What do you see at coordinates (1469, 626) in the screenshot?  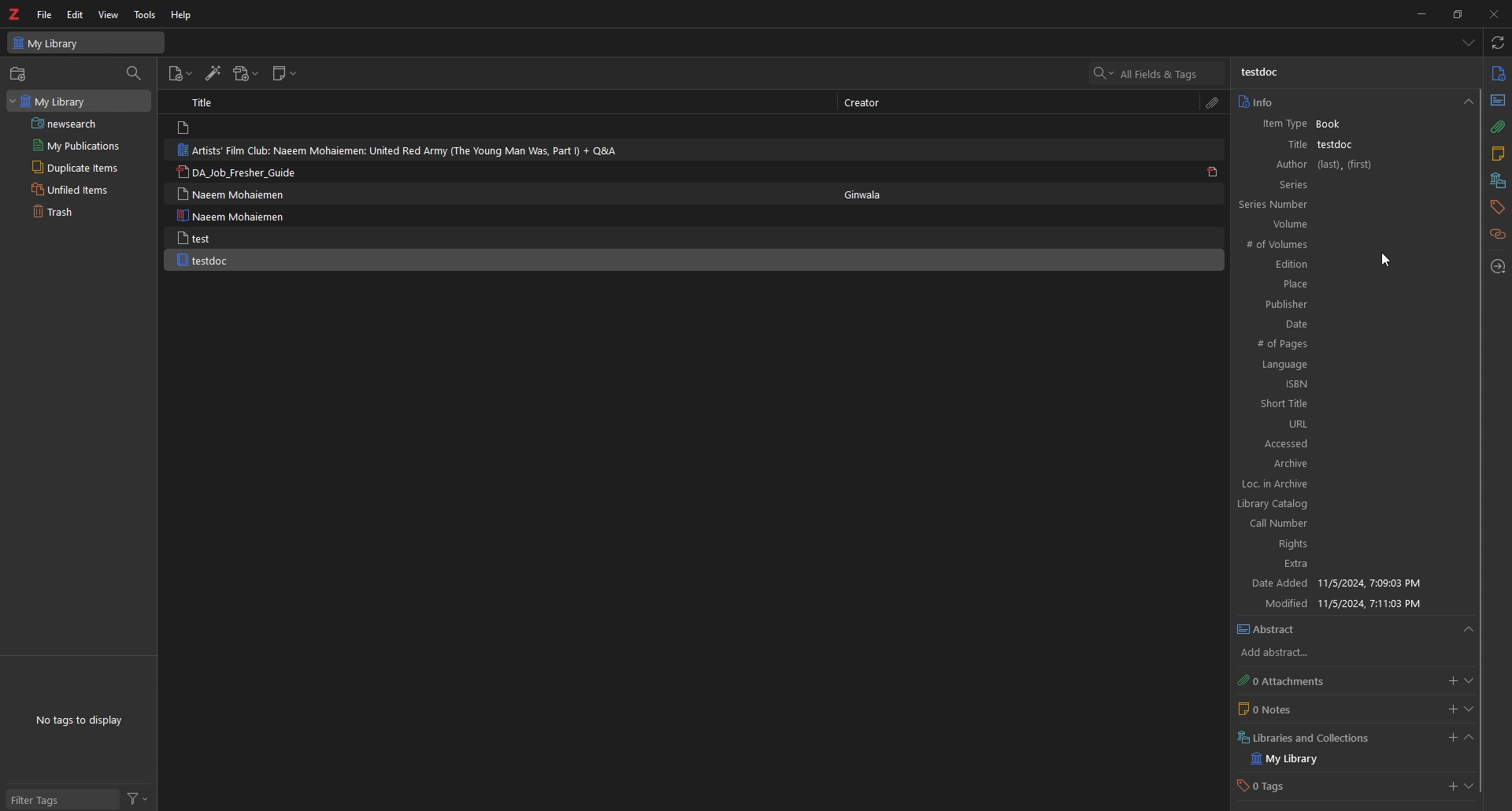 I see `show` at bounding box center [1469, 626].